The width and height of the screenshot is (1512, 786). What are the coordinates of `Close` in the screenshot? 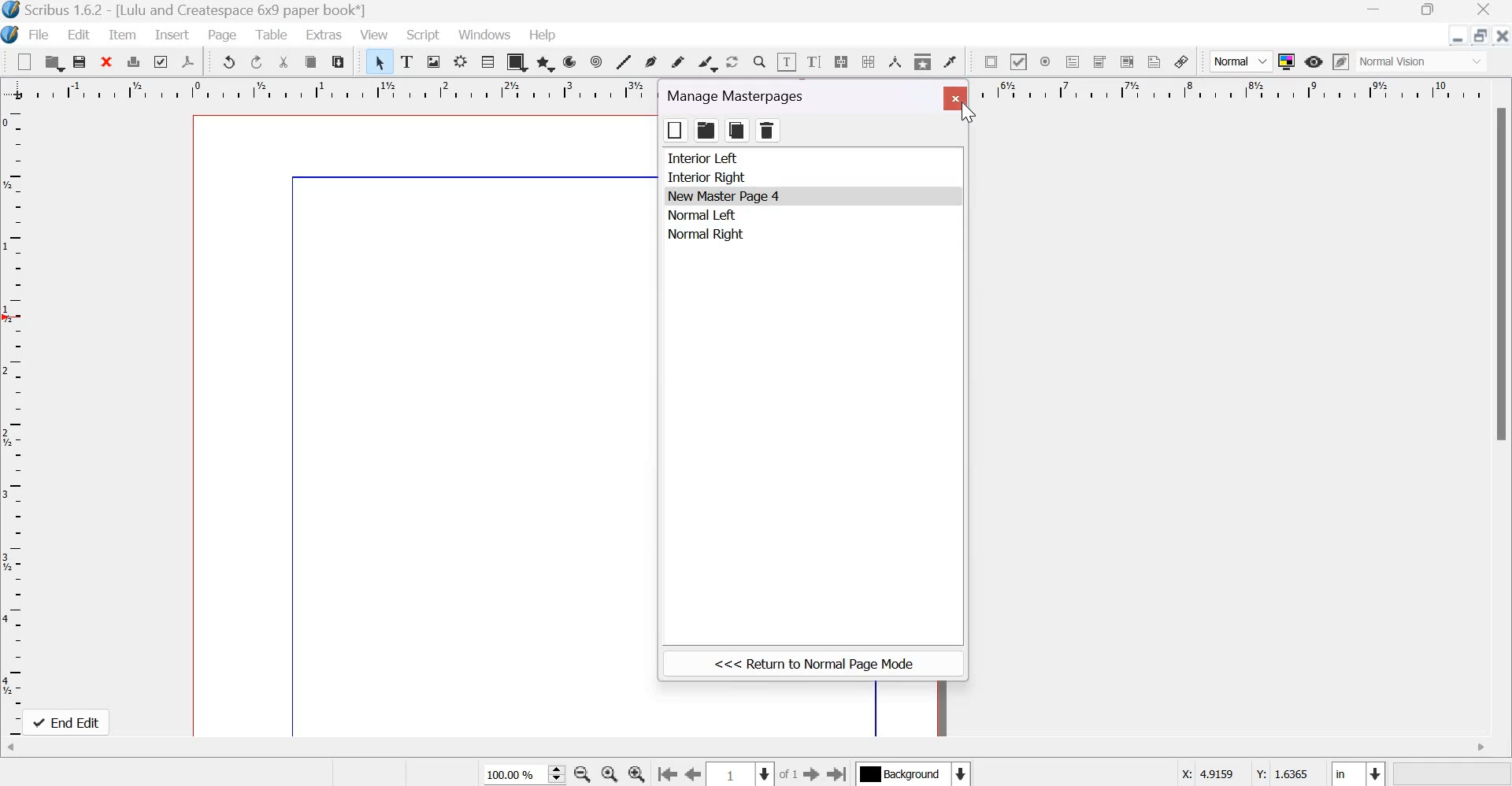 It's located at (1503, 35).